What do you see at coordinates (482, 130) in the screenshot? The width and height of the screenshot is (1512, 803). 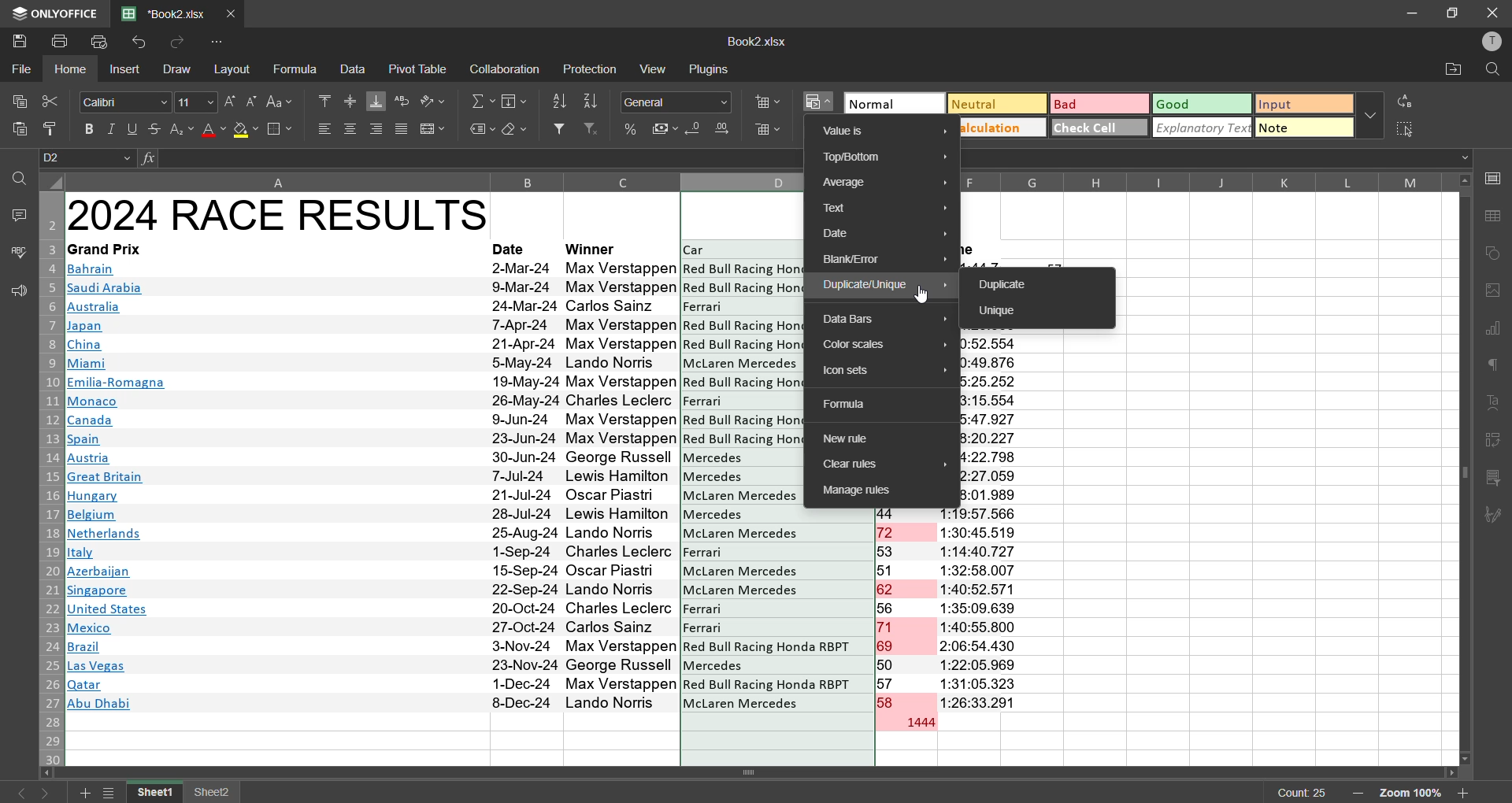 I see `named ranges` at bounding box center [482, 130].